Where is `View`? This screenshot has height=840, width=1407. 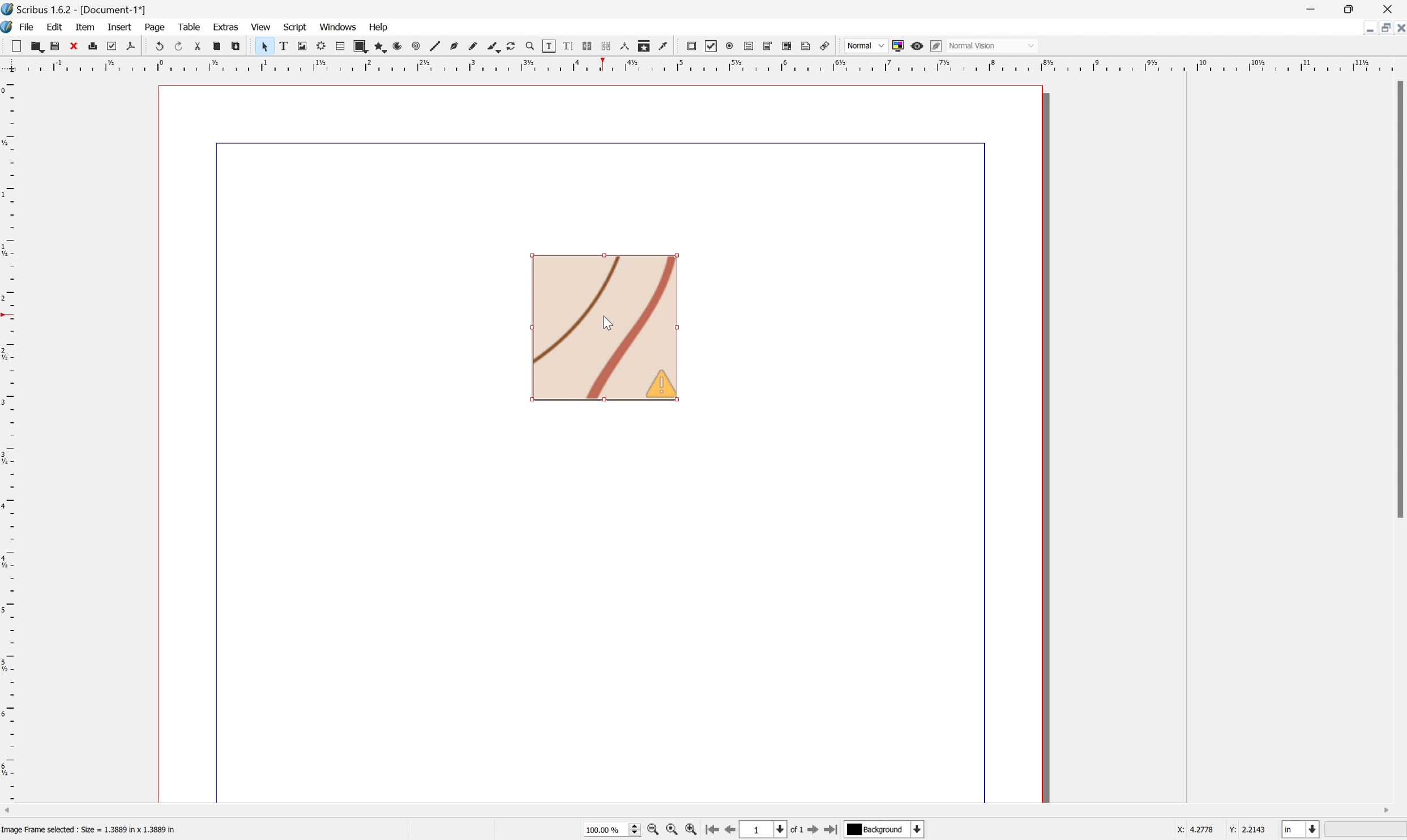
View is located at coordinates (261, 27).